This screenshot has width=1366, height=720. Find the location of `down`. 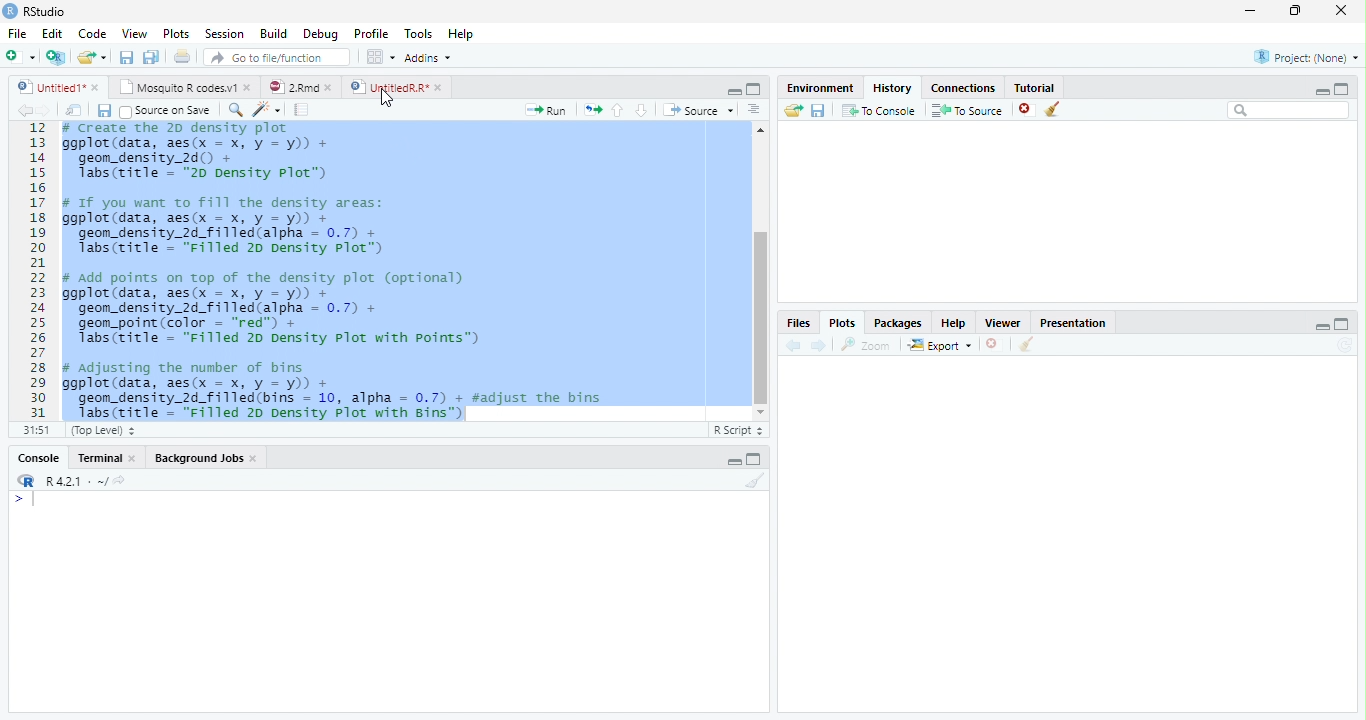

down is located at coordinates (641, 110).